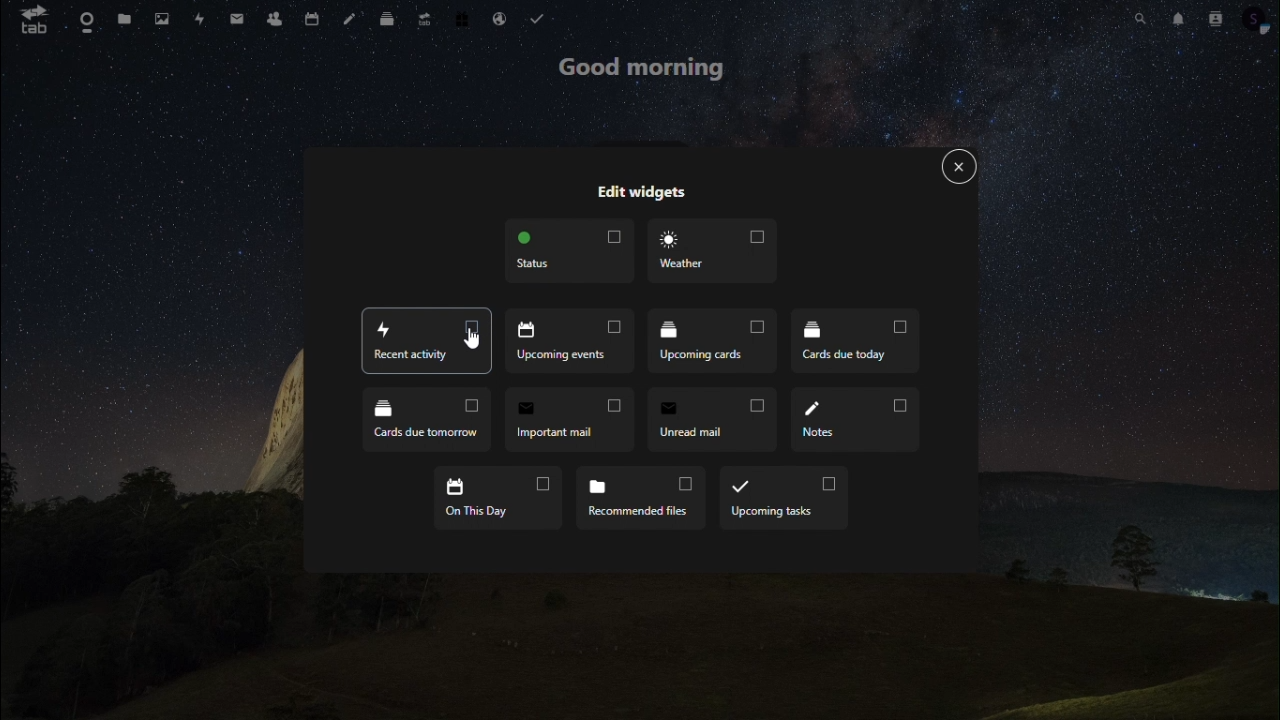  Describe the element at coordinates (500, 22) in the screenshot. I see `email hosting` at that location.